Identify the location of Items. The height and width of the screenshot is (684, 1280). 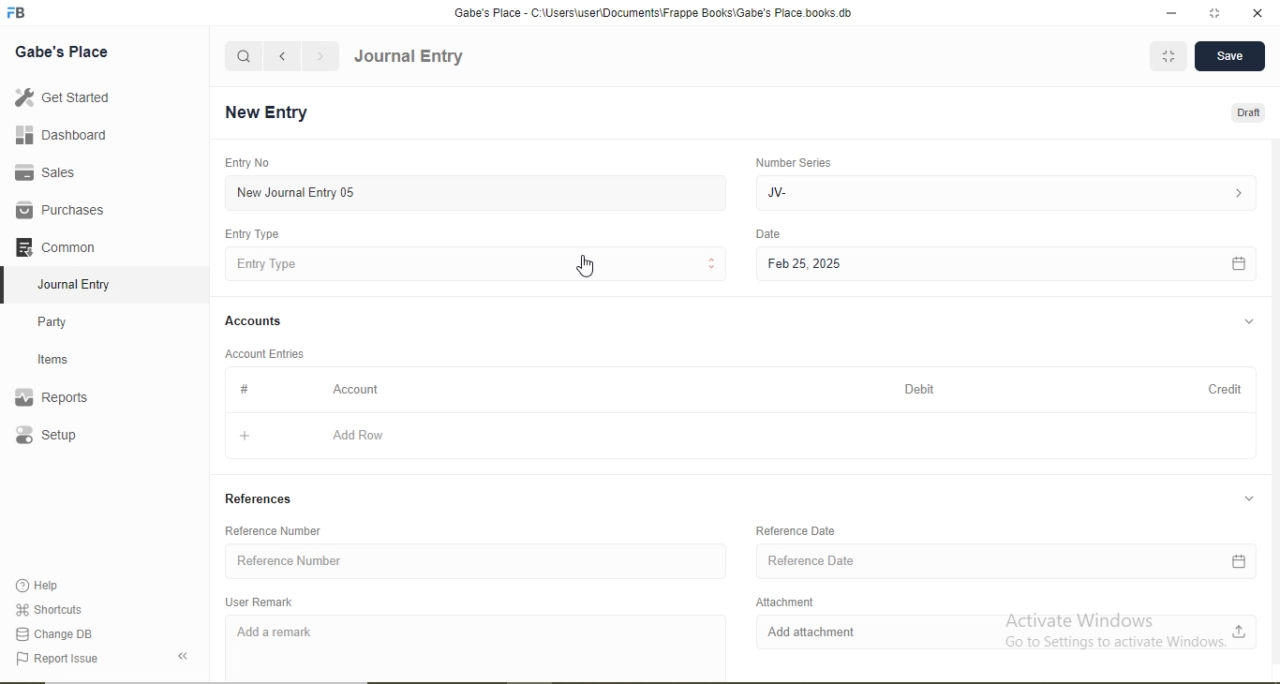
(65, 359).